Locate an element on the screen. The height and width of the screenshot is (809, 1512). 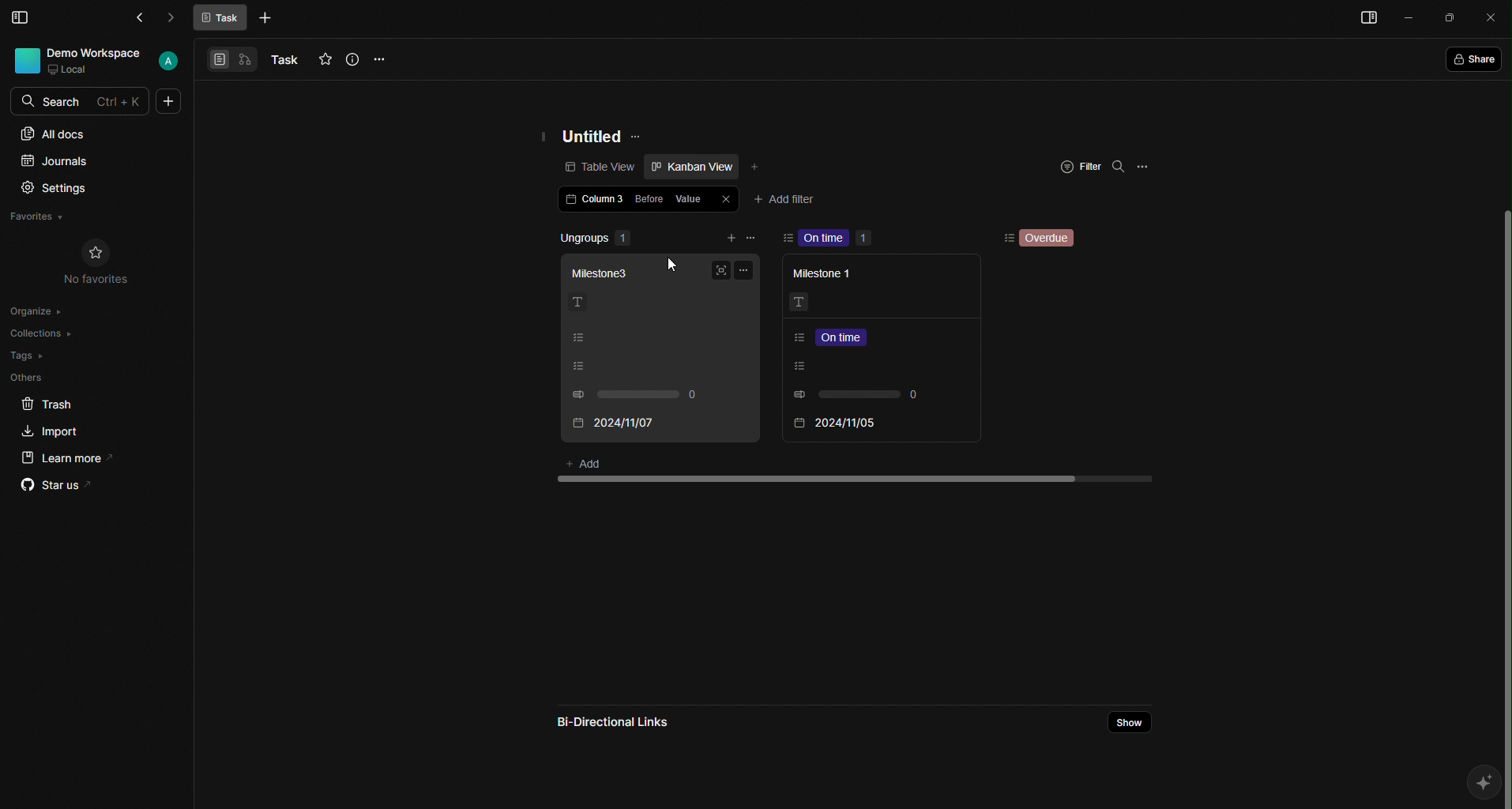
Table view is located at coordinates (579, 167).